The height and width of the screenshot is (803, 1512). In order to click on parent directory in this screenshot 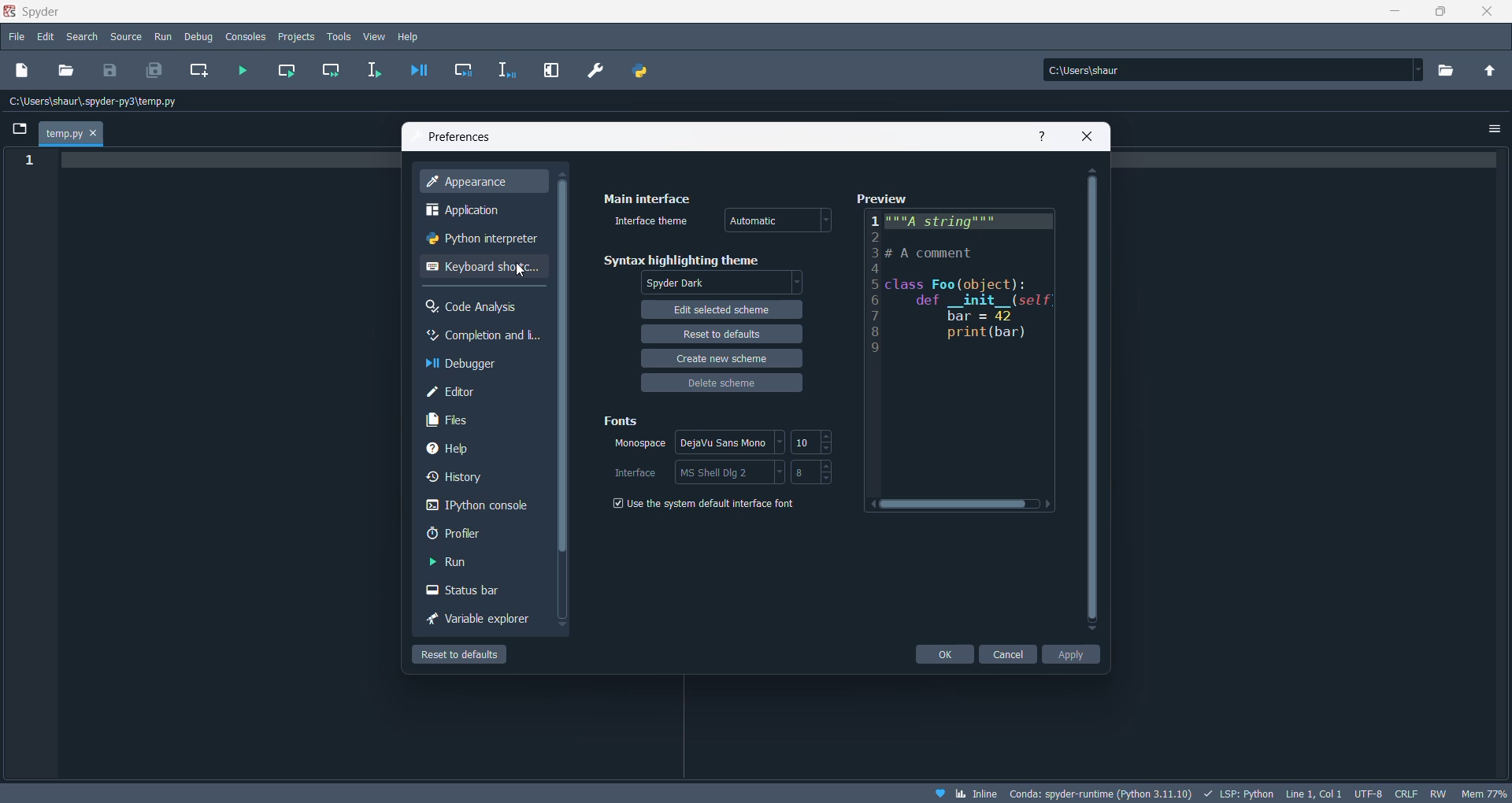, I will do `click(1491, 68)`.